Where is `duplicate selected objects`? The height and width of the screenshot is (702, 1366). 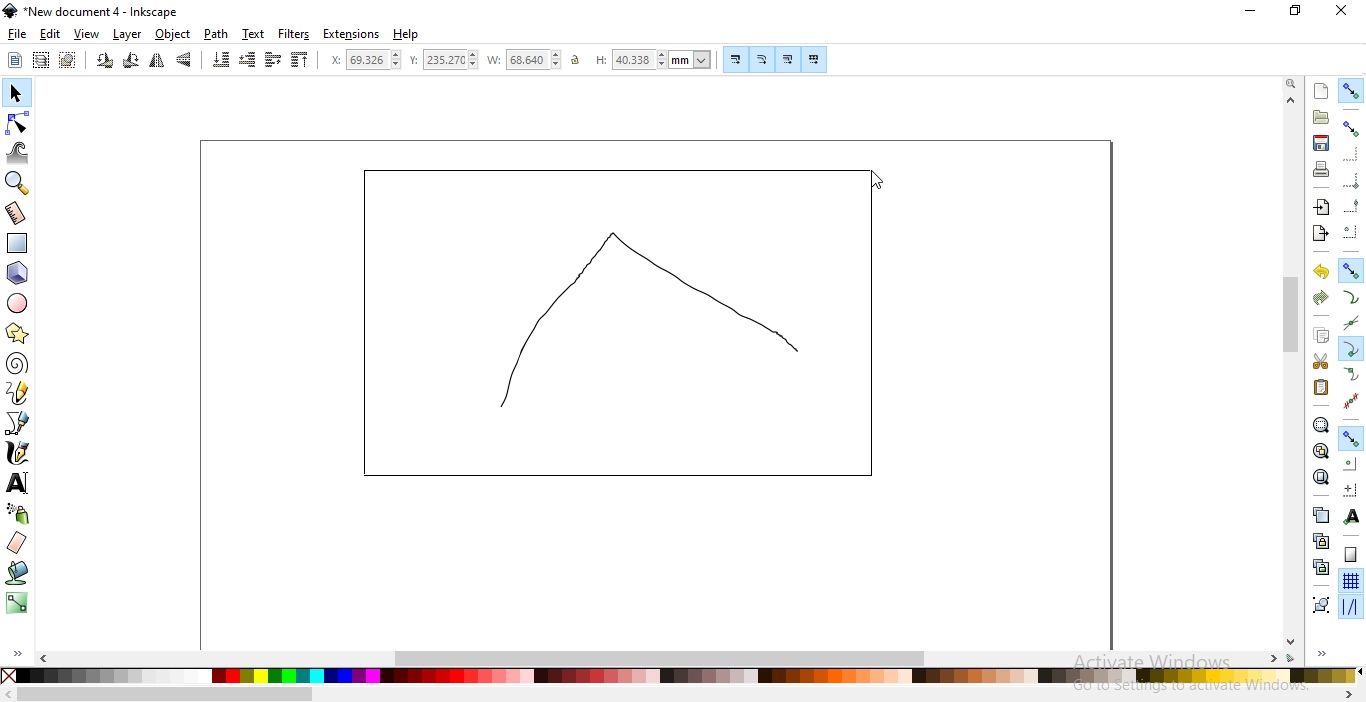 duplicate selected objects is located at coordinates (1320, 514).